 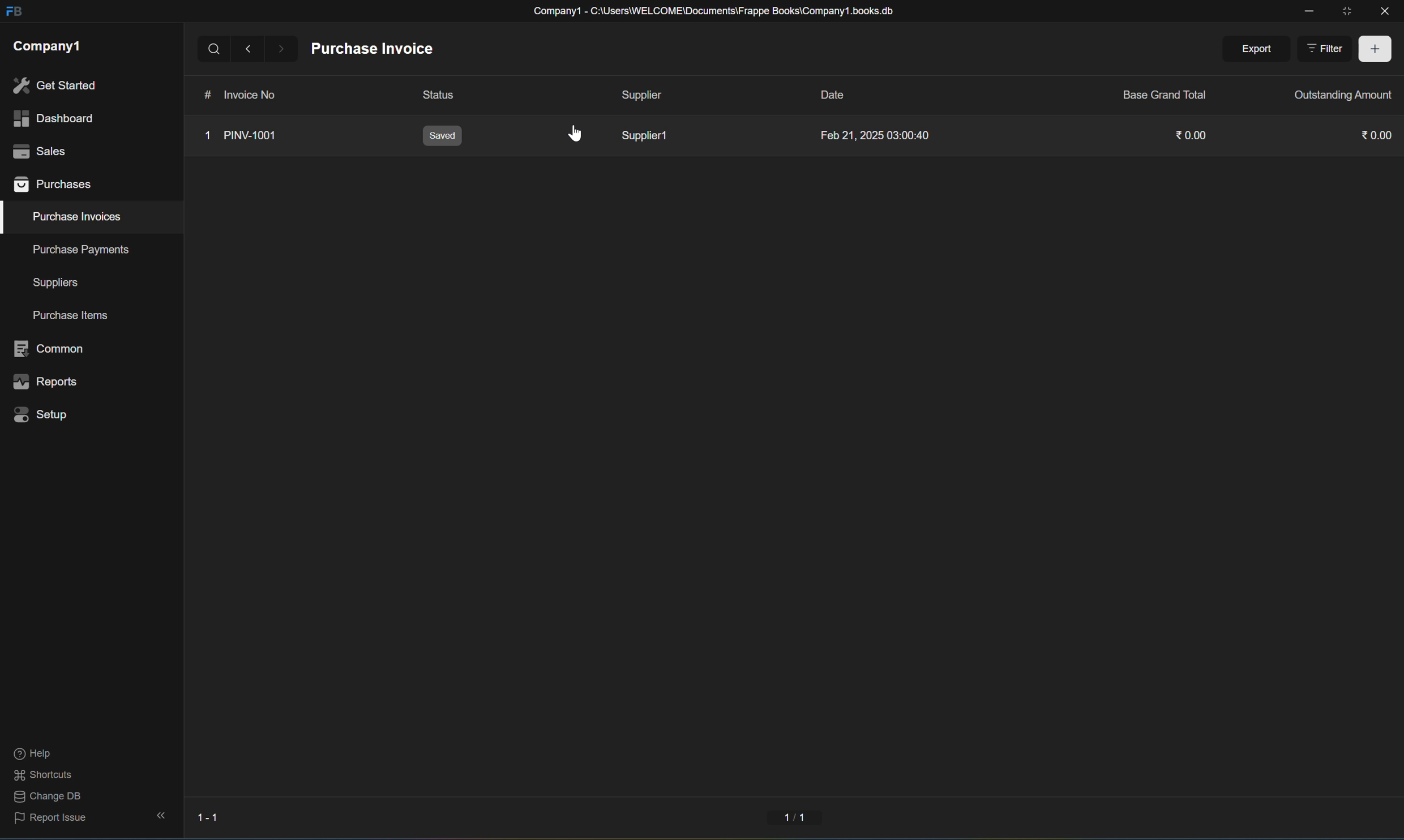 I want to click on Feb 21, 2025 03:00:40, so click(x=875, y=136).